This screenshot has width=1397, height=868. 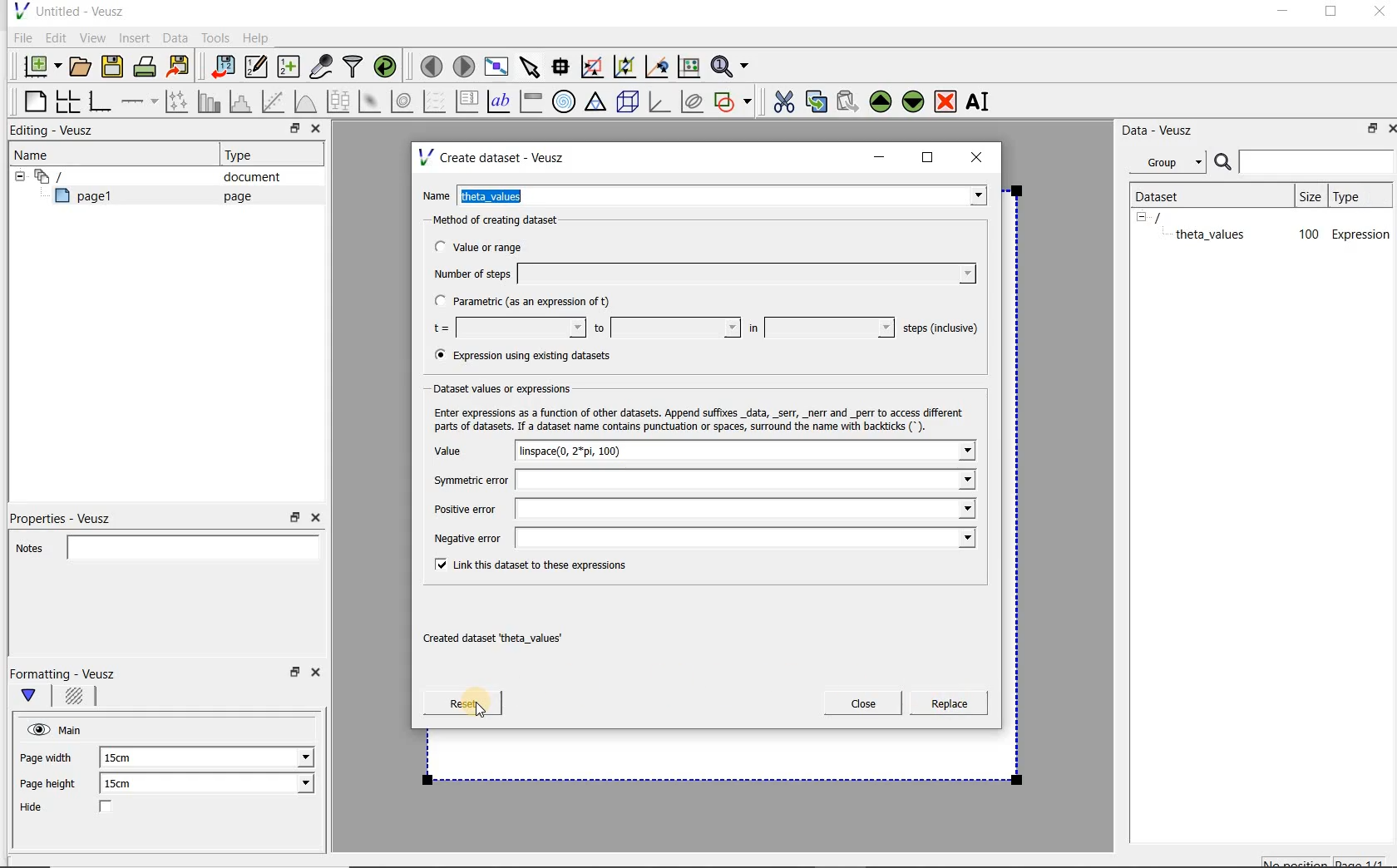 What do you see at coordinates (293, 677) in the screenshot?
I see `restore down` at bounding box center [293, 677].